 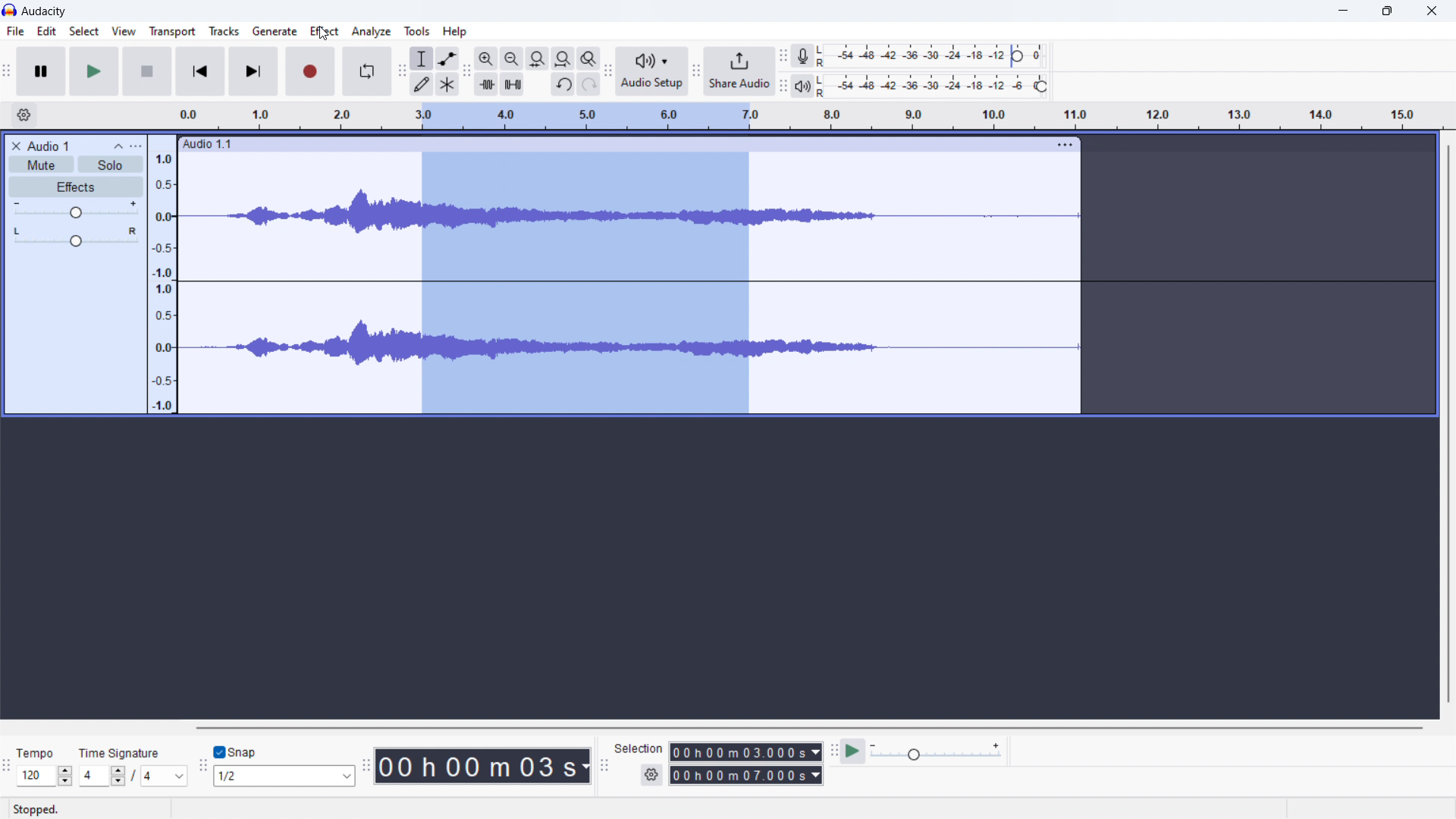 What do you see at coordinates (83, 31) in the screenshot?
I see `select` at bounding box center [83, 31].